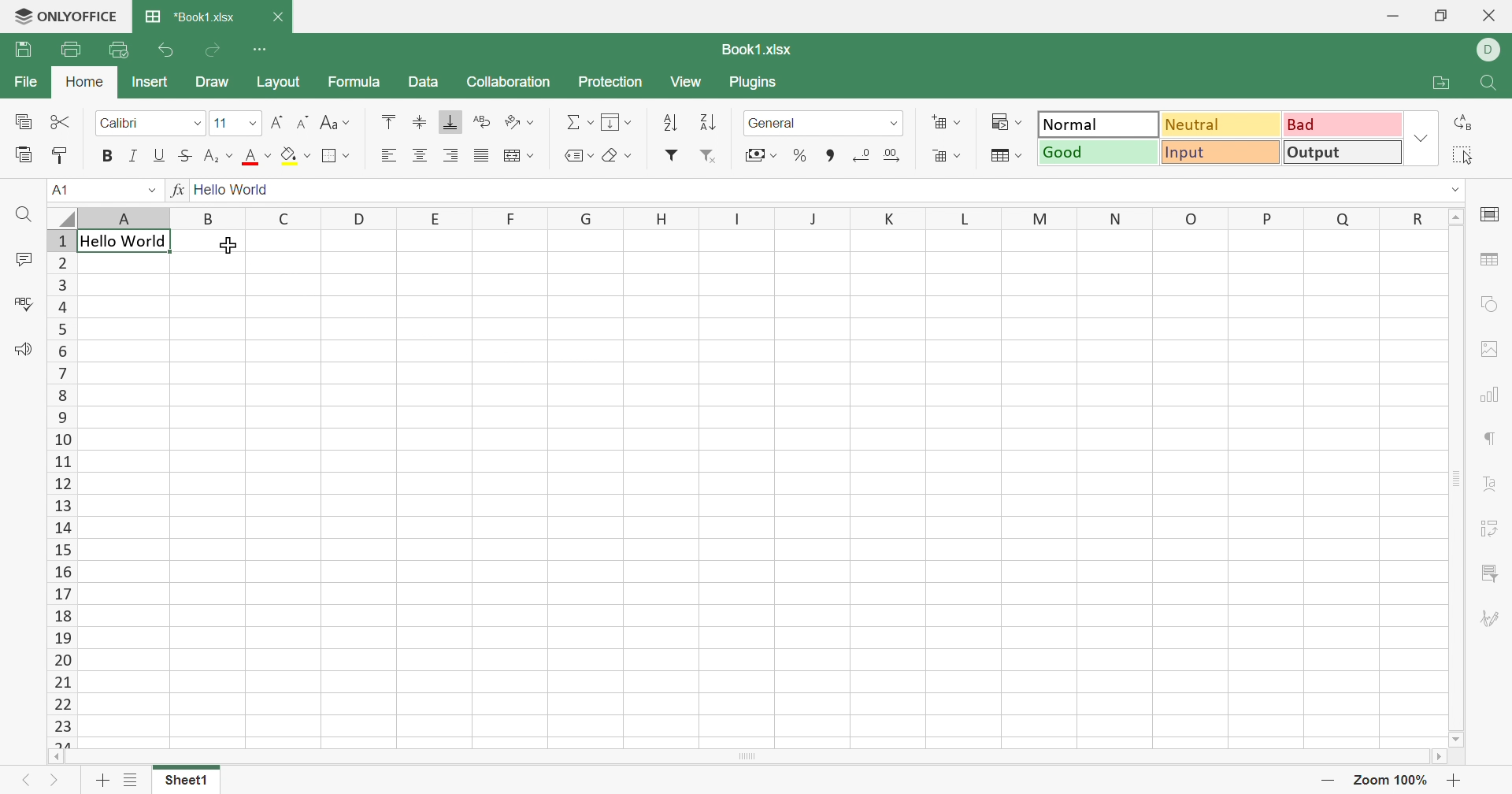 This screenshot has width=1512, height=794. What do you see at coordinates (1451, 217) in the screenshot?
I see `Scroll Up` at bounding box center [1451, 217].